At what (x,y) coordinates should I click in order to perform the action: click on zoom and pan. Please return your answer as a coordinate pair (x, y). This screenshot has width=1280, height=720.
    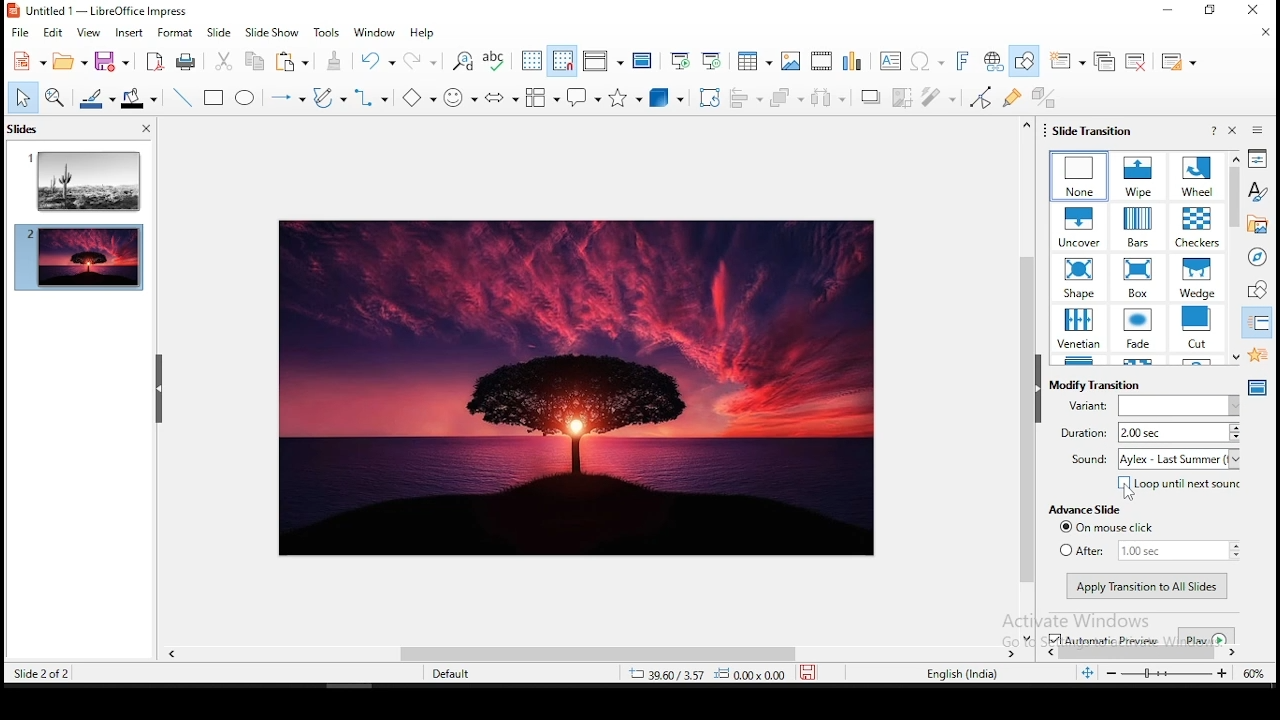
    Looking at the image, I should click on (59, 99).